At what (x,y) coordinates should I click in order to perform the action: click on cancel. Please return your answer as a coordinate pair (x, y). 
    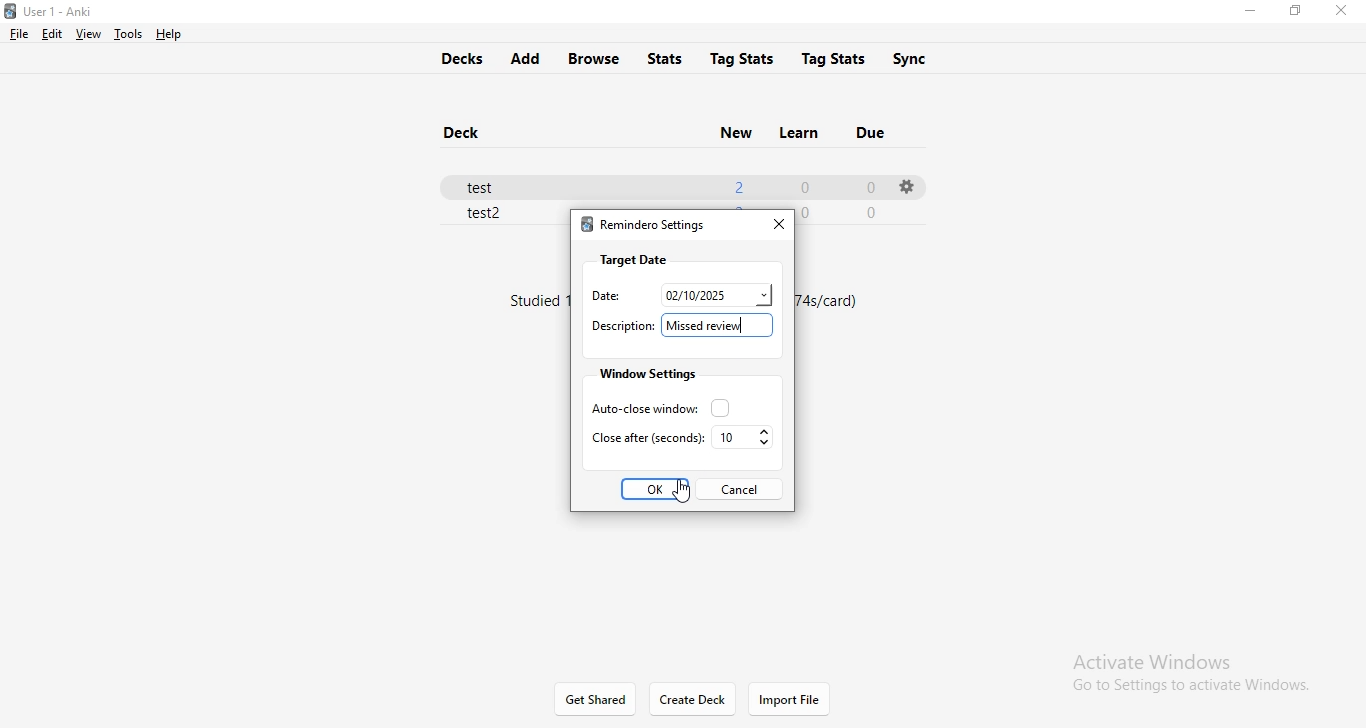
    Looking at the image, I should click on (738, 488).